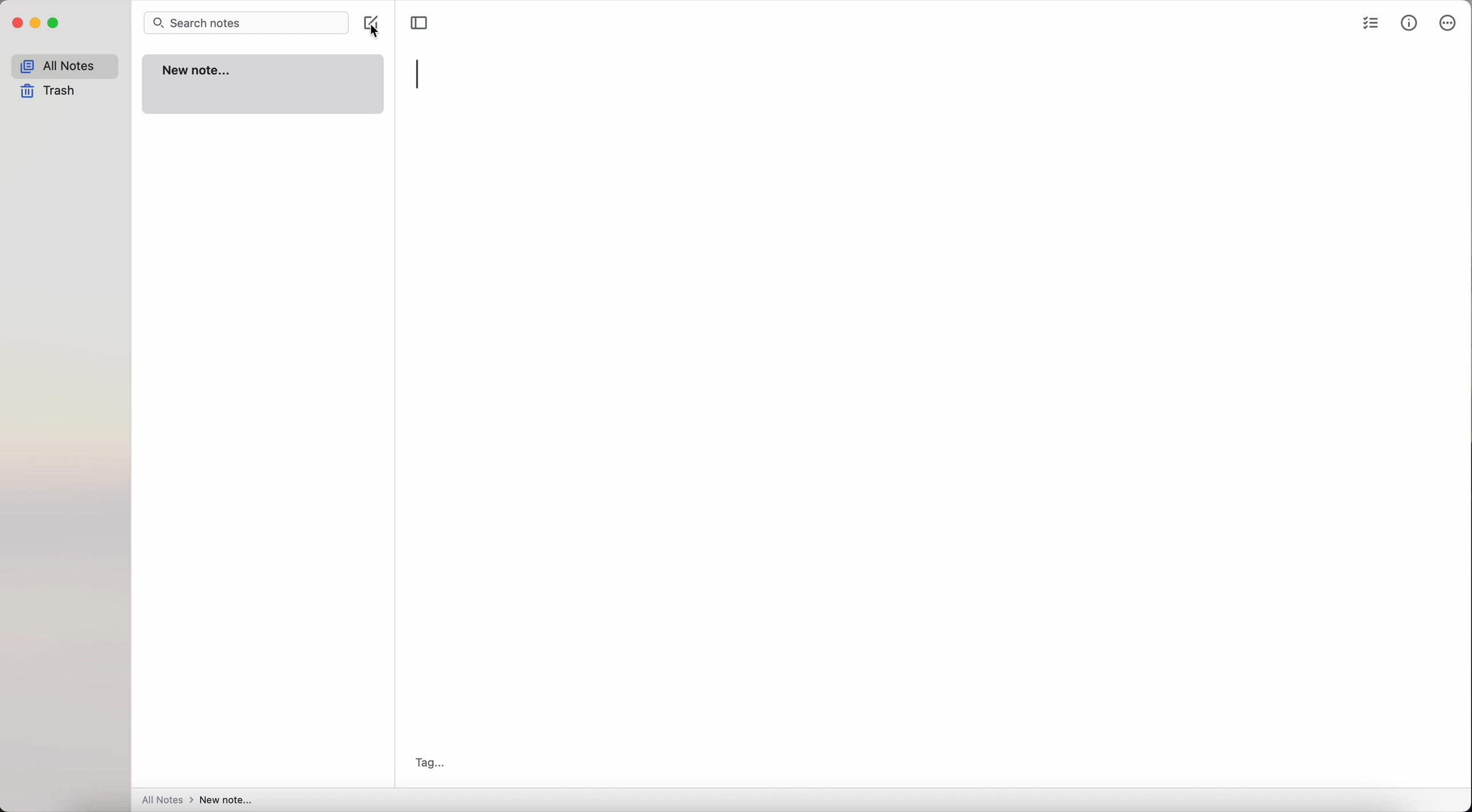 The image size is (1472, 812). What do you see at coordinates (249, 23) in the screenshot?
I see `search bar` at bounding box center [249, 23].